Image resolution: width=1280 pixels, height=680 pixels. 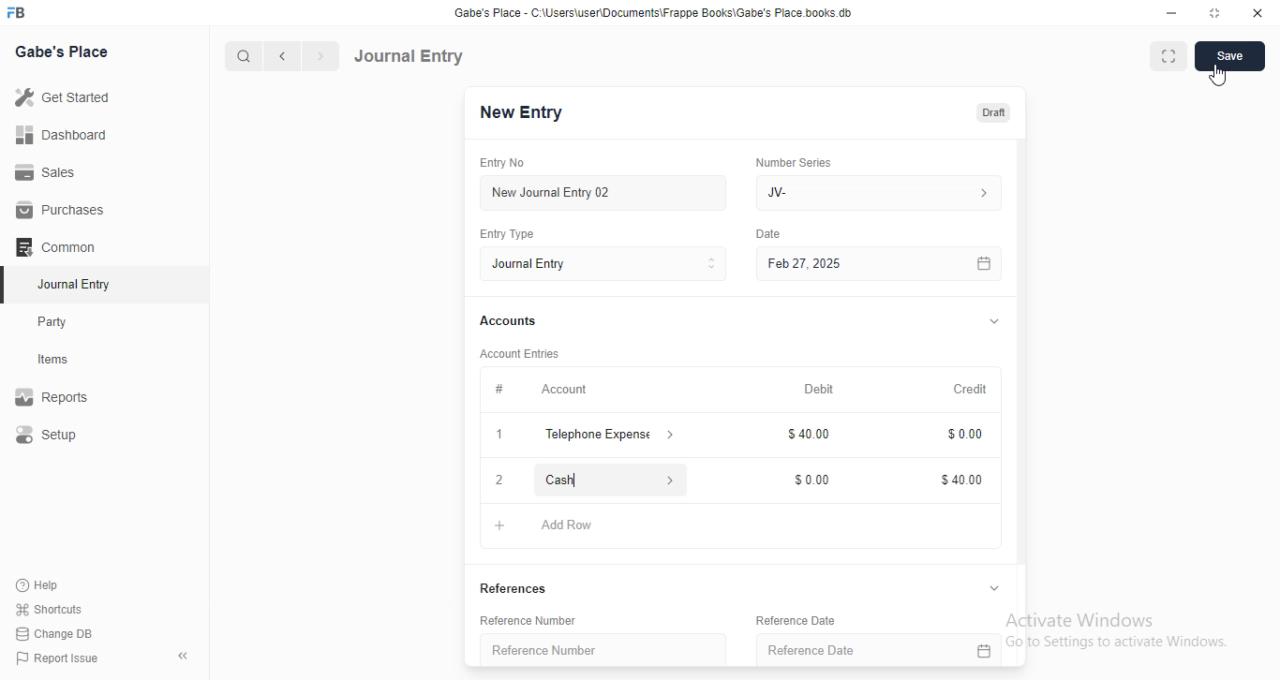 I want to click on 40.00, so click(x=953, y=482).